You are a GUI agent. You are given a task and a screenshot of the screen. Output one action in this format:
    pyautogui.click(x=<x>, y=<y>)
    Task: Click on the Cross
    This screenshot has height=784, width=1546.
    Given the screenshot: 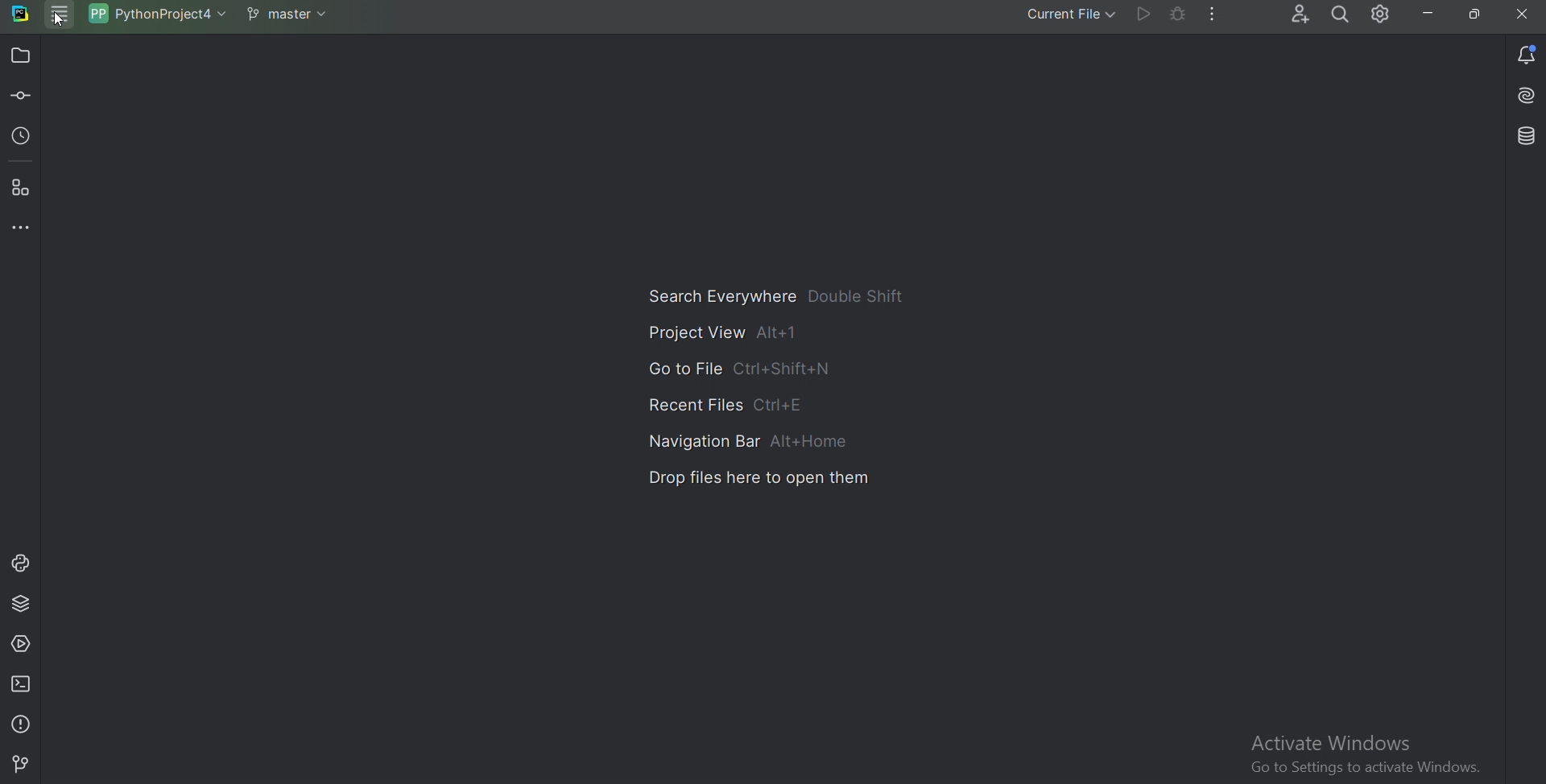 What is the action you would take?
    pyautogui.click(x=1523, y=14)
    